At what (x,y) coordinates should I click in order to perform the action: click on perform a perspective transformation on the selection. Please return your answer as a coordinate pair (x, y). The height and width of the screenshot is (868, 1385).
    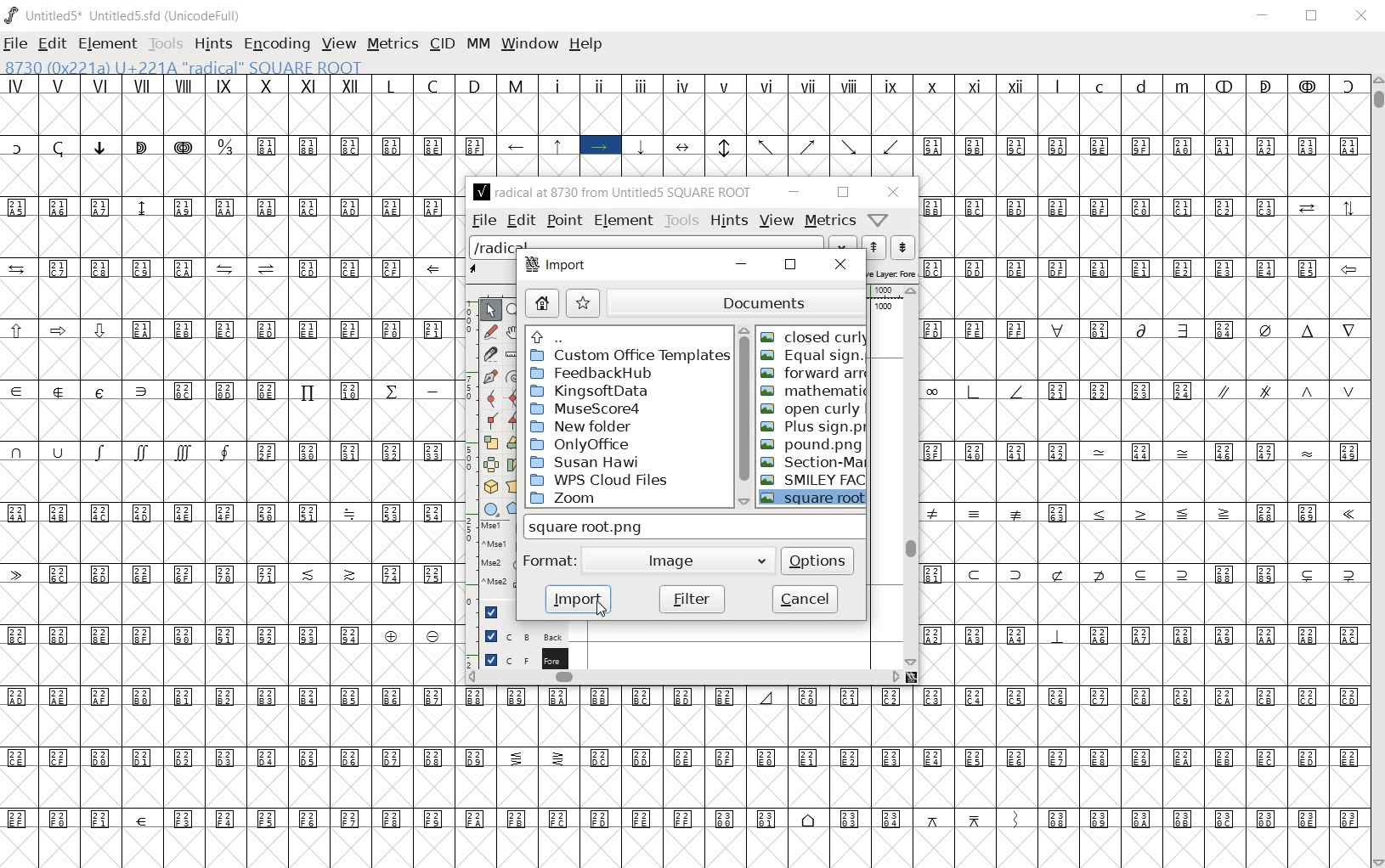
    Looking at the image, I should click on (512, 488).